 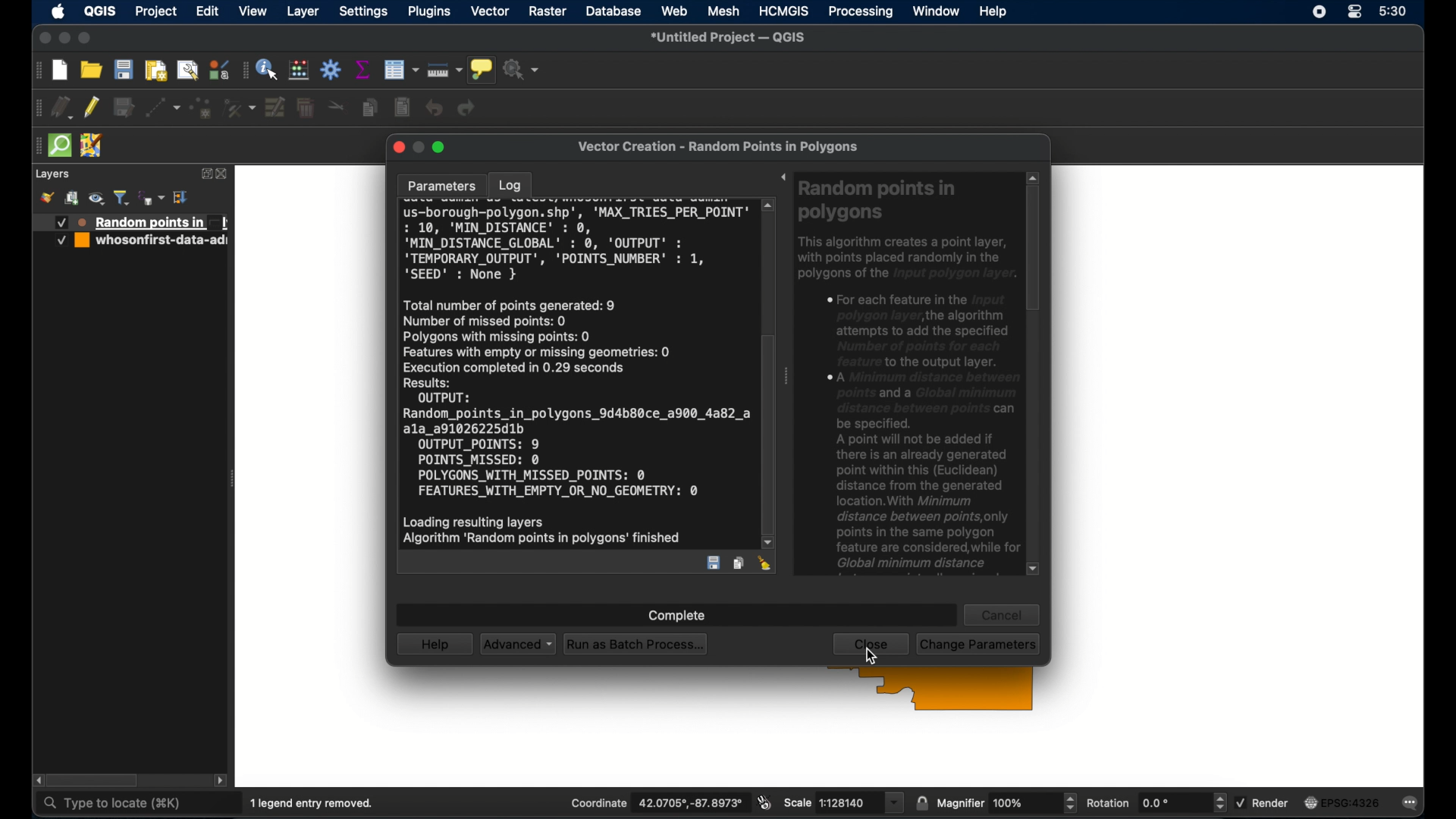 What do you see at coordinates (679, 616) in the screenshot?
I see `complete` at bounding box center [679, 616].